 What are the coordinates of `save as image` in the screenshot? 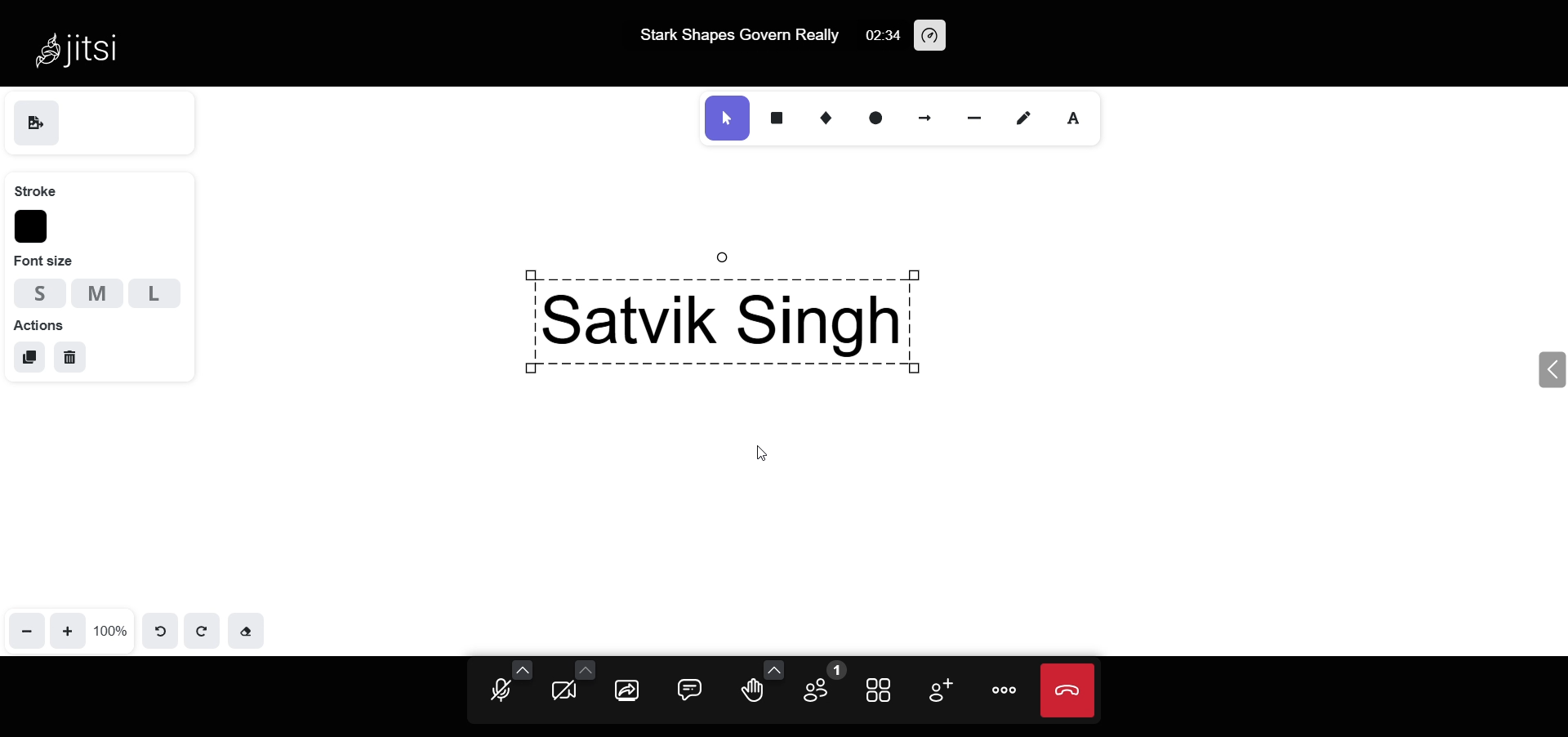 It's located at (36, 125).